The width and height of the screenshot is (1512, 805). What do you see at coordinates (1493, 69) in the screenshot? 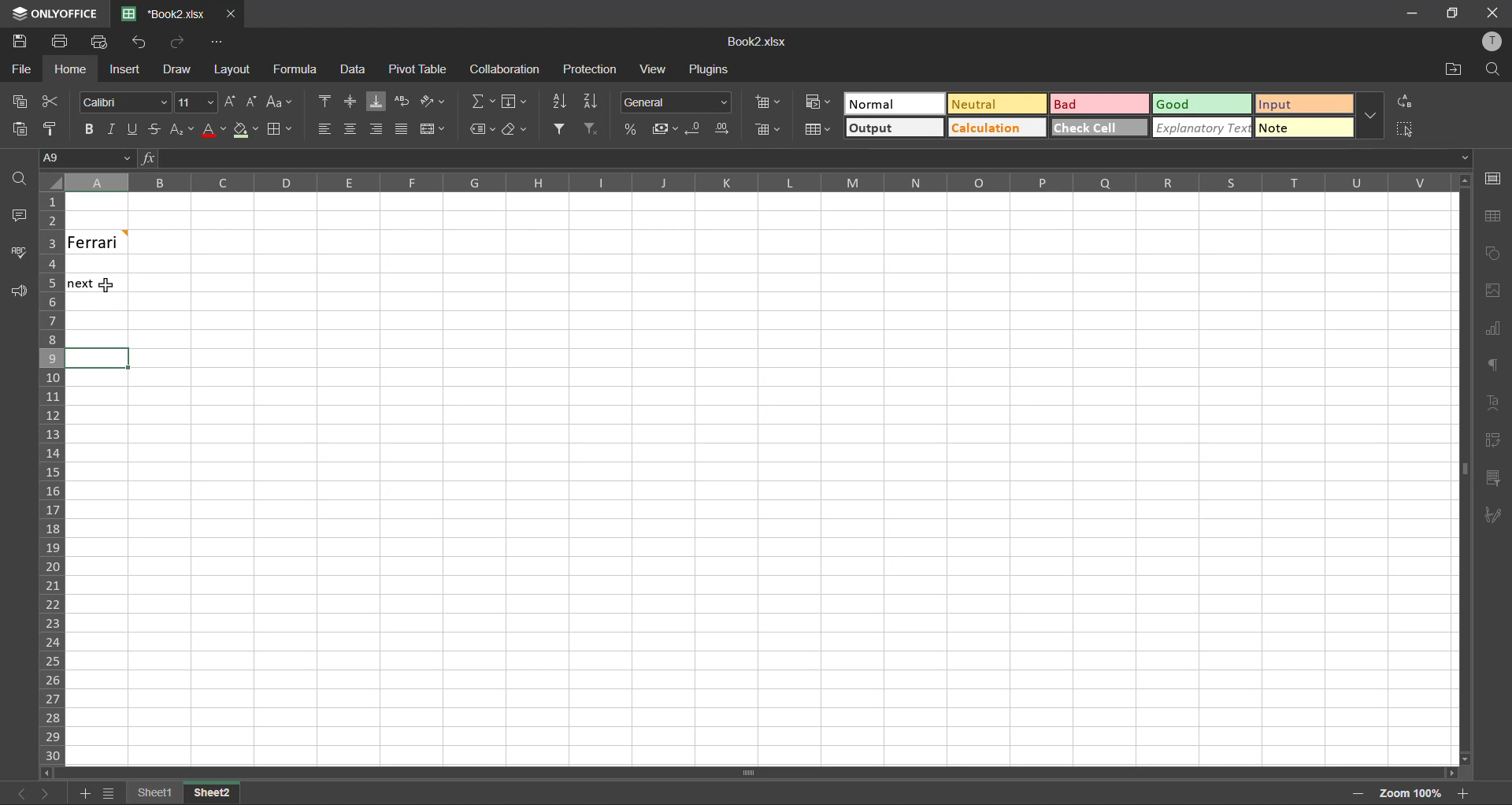
I see `find` at bounding box center [1493, 69].